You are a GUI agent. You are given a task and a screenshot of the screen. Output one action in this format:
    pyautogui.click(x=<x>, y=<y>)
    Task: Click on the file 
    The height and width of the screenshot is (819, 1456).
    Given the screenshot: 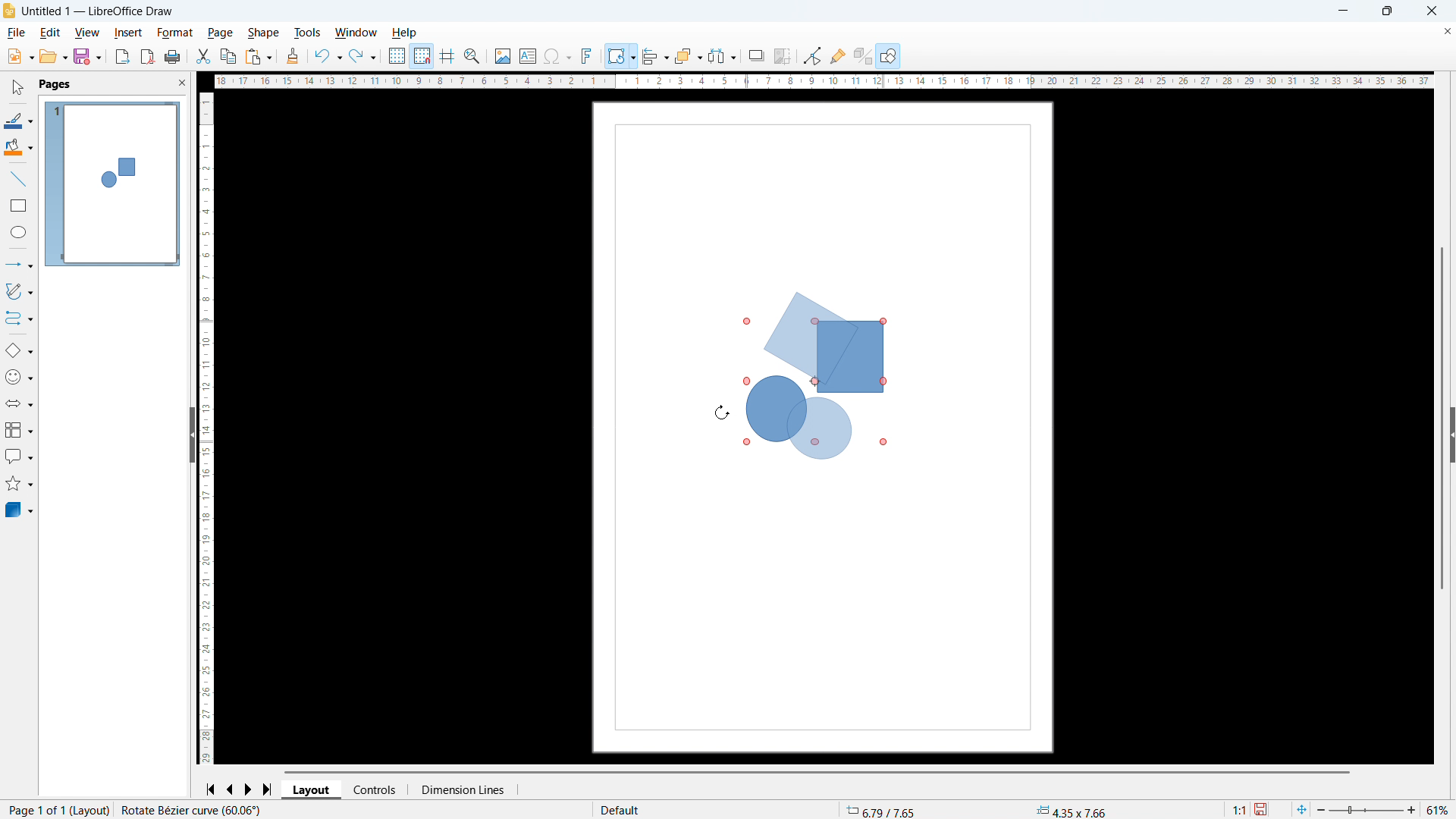 What is the action you would take?
    pyautogui.click(x=17, y=33)
    